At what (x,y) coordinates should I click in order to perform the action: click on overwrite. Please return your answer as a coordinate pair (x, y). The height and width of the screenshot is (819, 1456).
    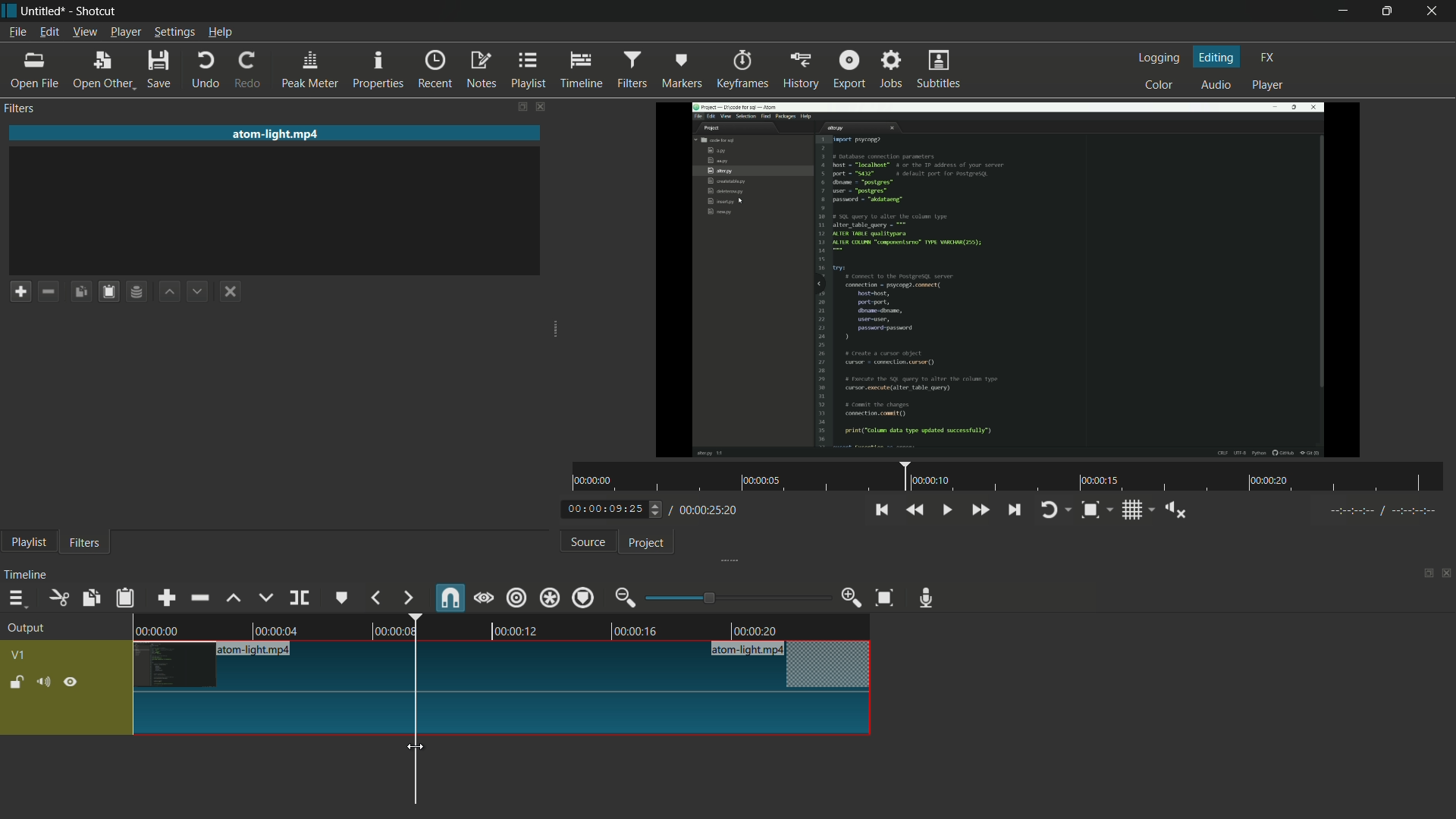
    Looking at the image, I should click on (265, 598).